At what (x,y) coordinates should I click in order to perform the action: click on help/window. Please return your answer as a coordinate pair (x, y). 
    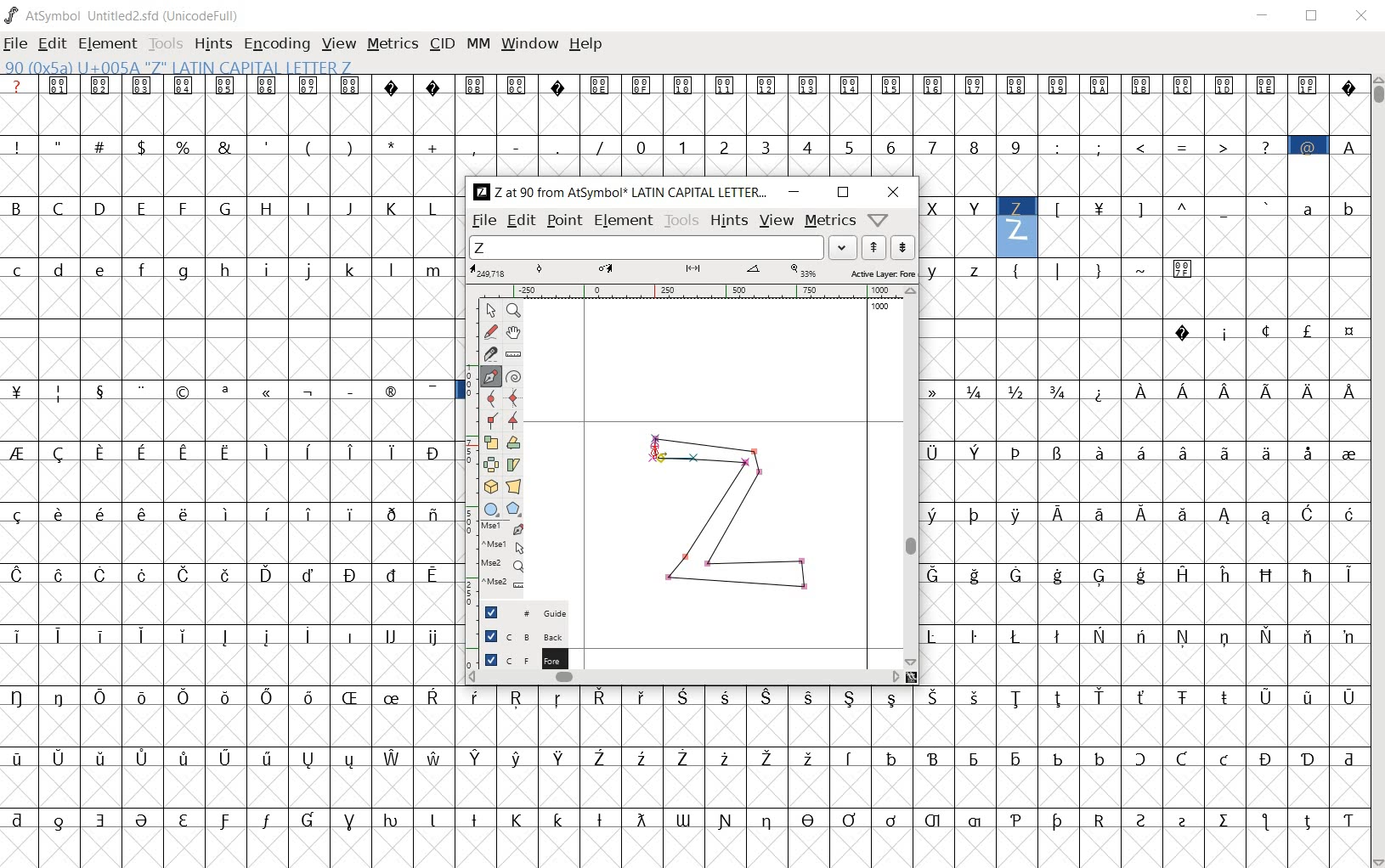
    Looking at the image, I should click on (879, 220).